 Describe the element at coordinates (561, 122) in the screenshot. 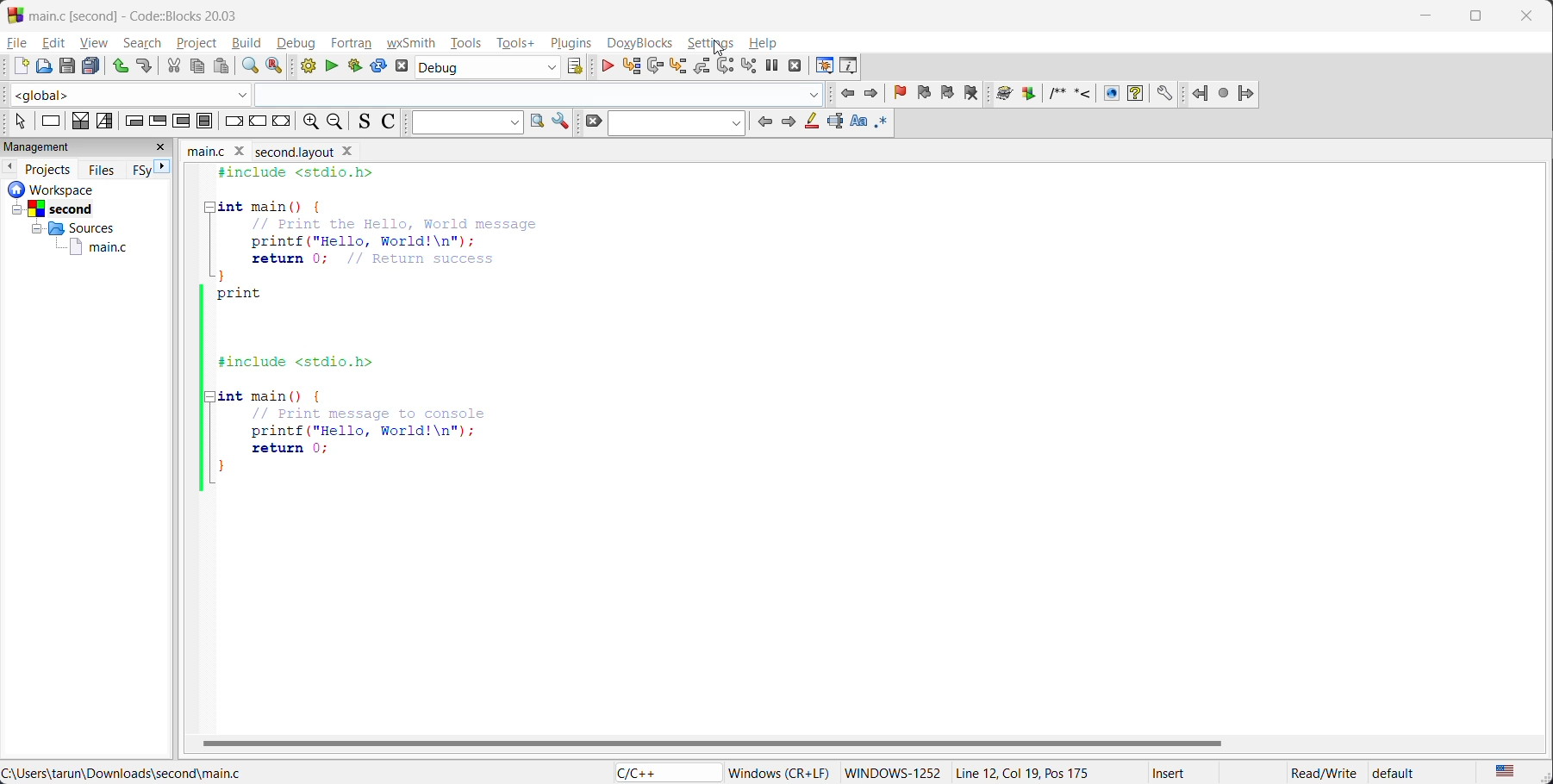

I see `show options window` at that location.